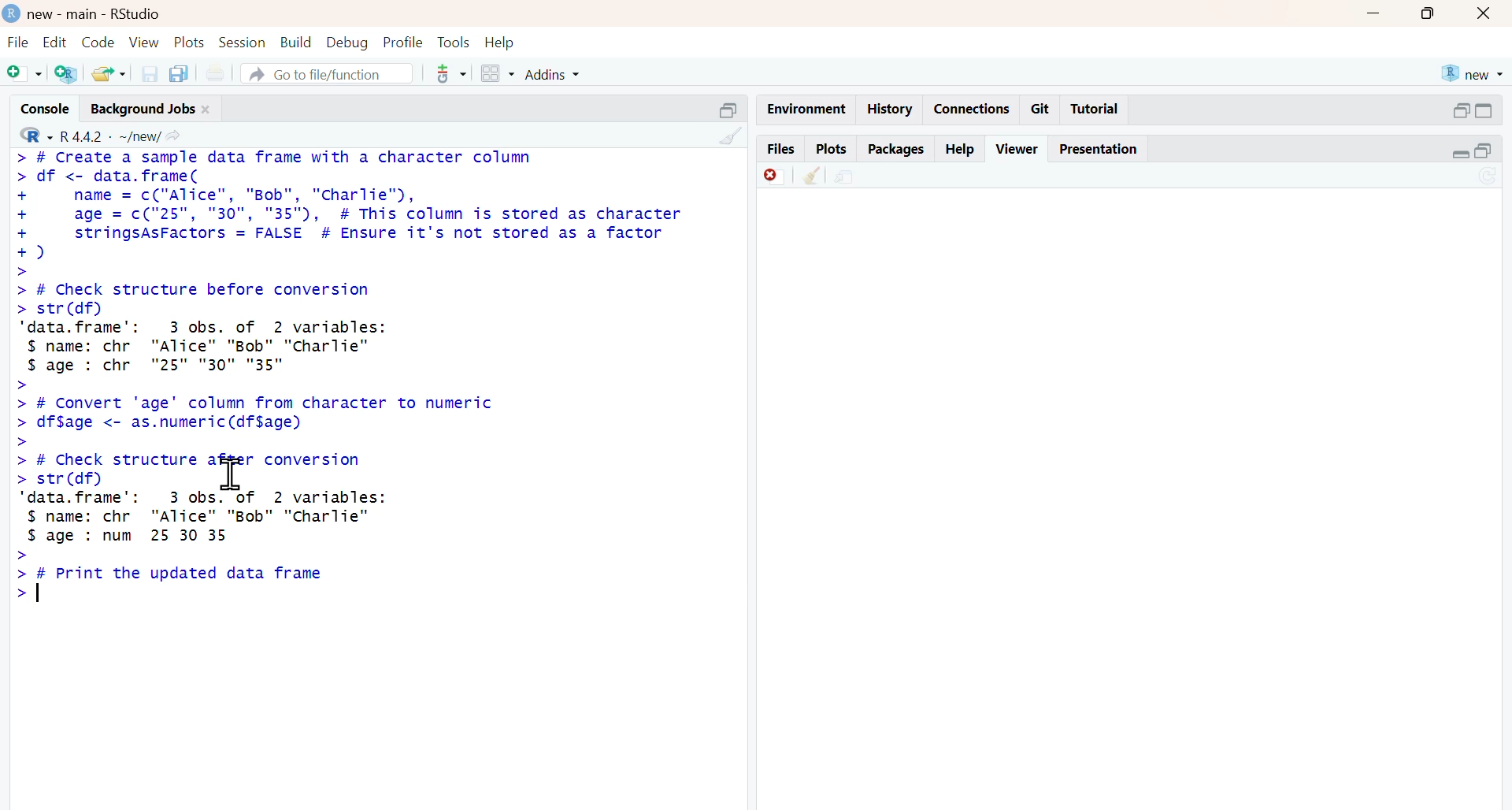 This screenshot has height=810, width=1512. I want to click on share icon, so click(173, 137).